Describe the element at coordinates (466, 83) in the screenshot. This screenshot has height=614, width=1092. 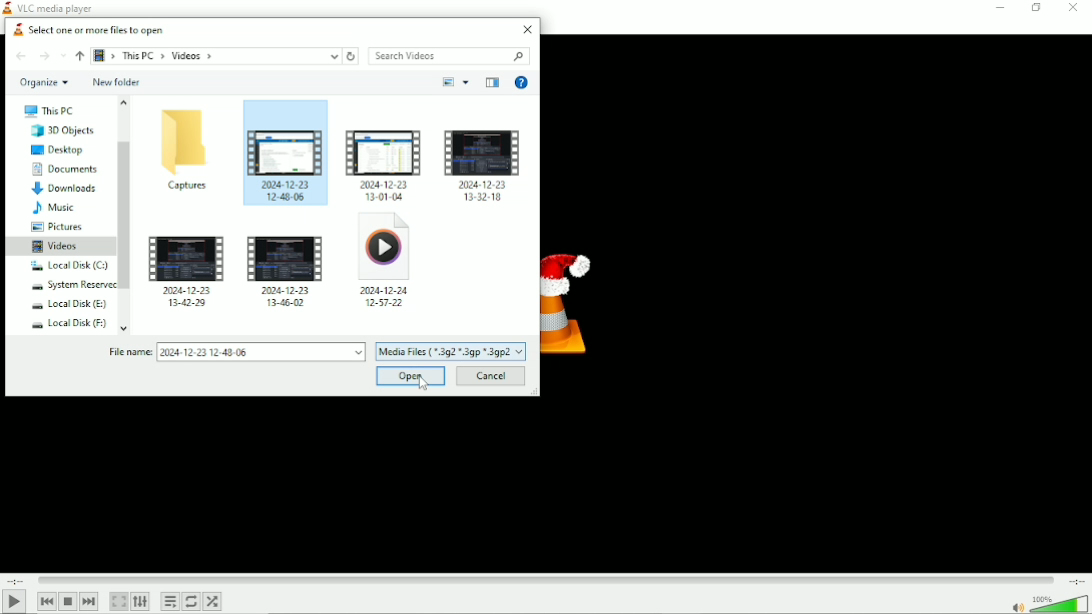
I see `More options` at that location.